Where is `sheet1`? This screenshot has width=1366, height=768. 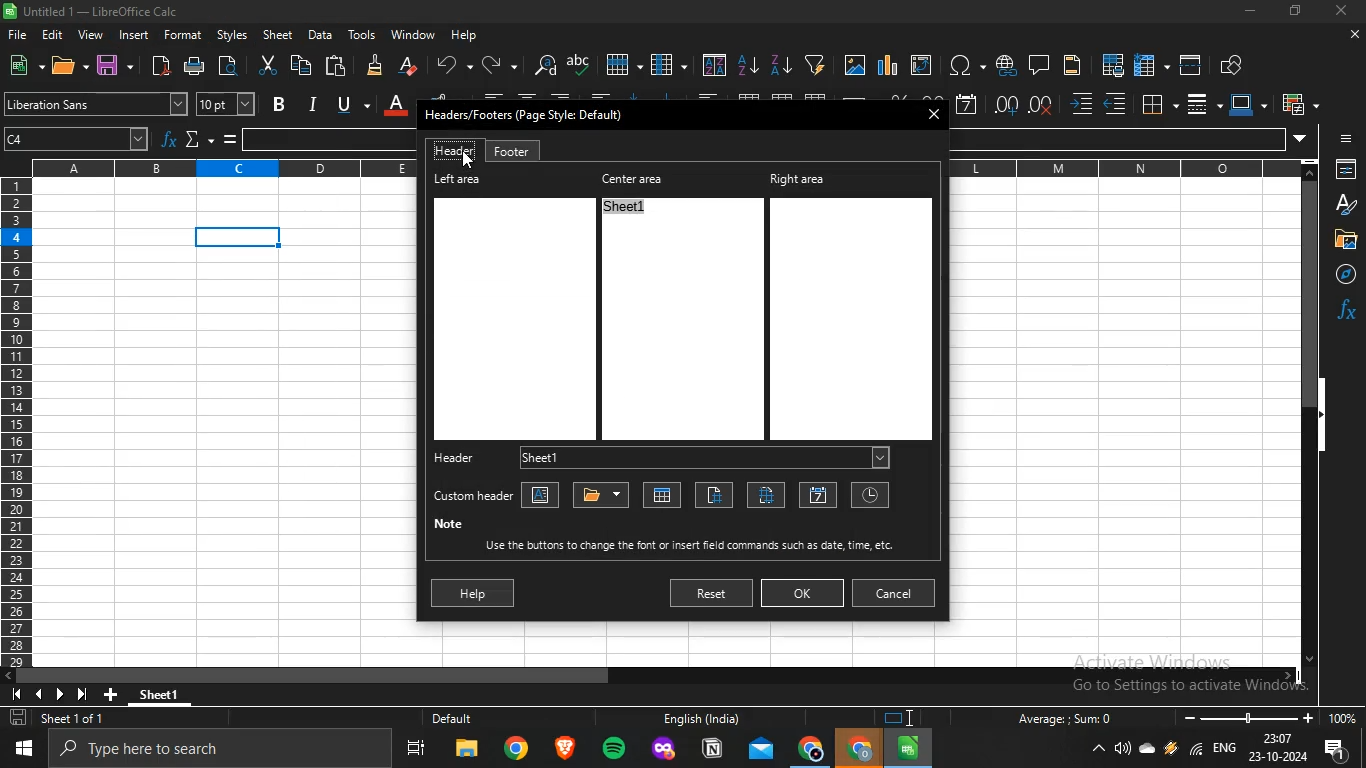 sheet1 is located at coordinates (703, 458).